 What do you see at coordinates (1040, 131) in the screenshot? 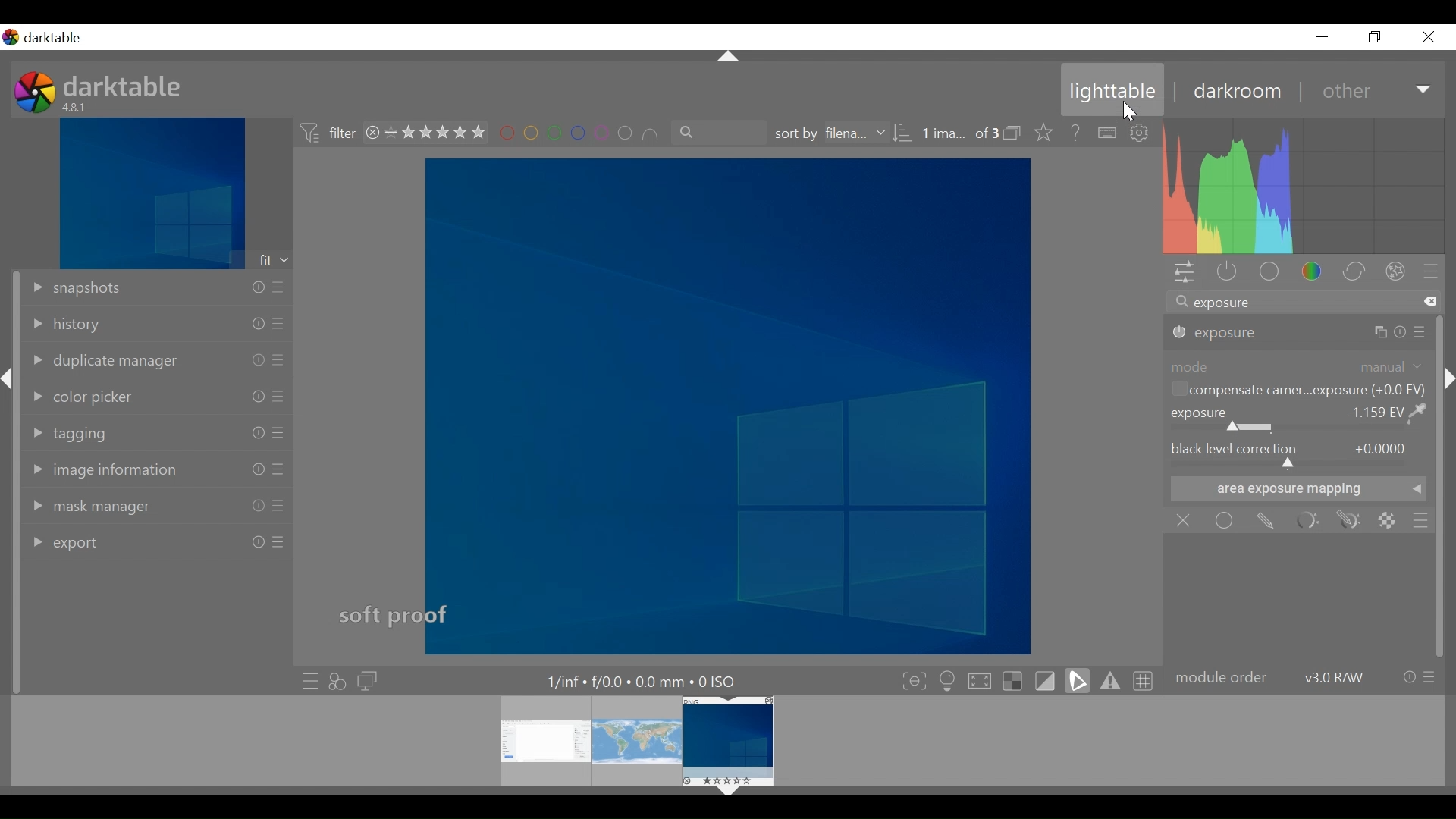
I see `click to change the type of overlays` at bounding box center [1040, 131].